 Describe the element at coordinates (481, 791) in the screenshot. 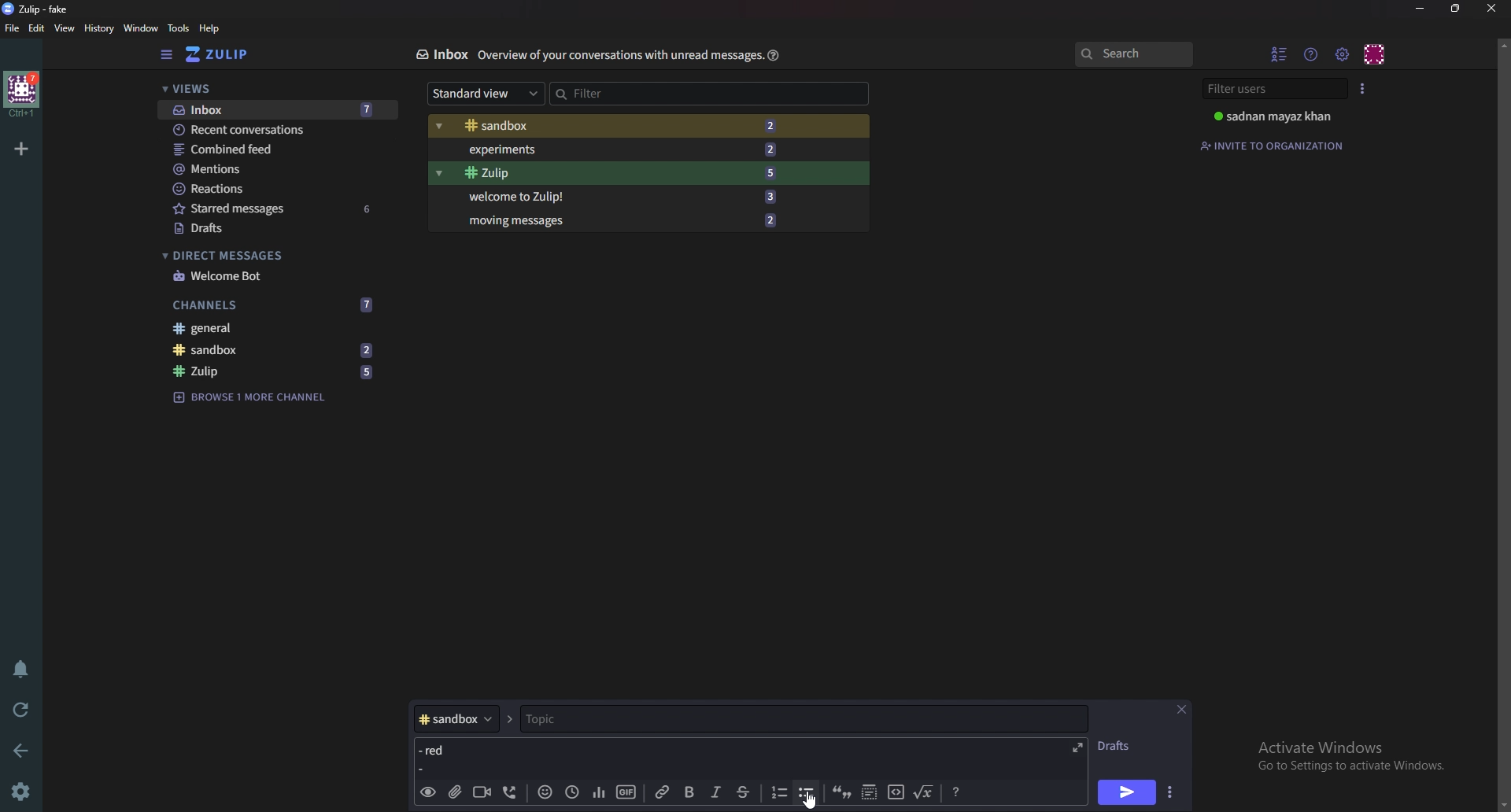

I see `Video call` at that location.